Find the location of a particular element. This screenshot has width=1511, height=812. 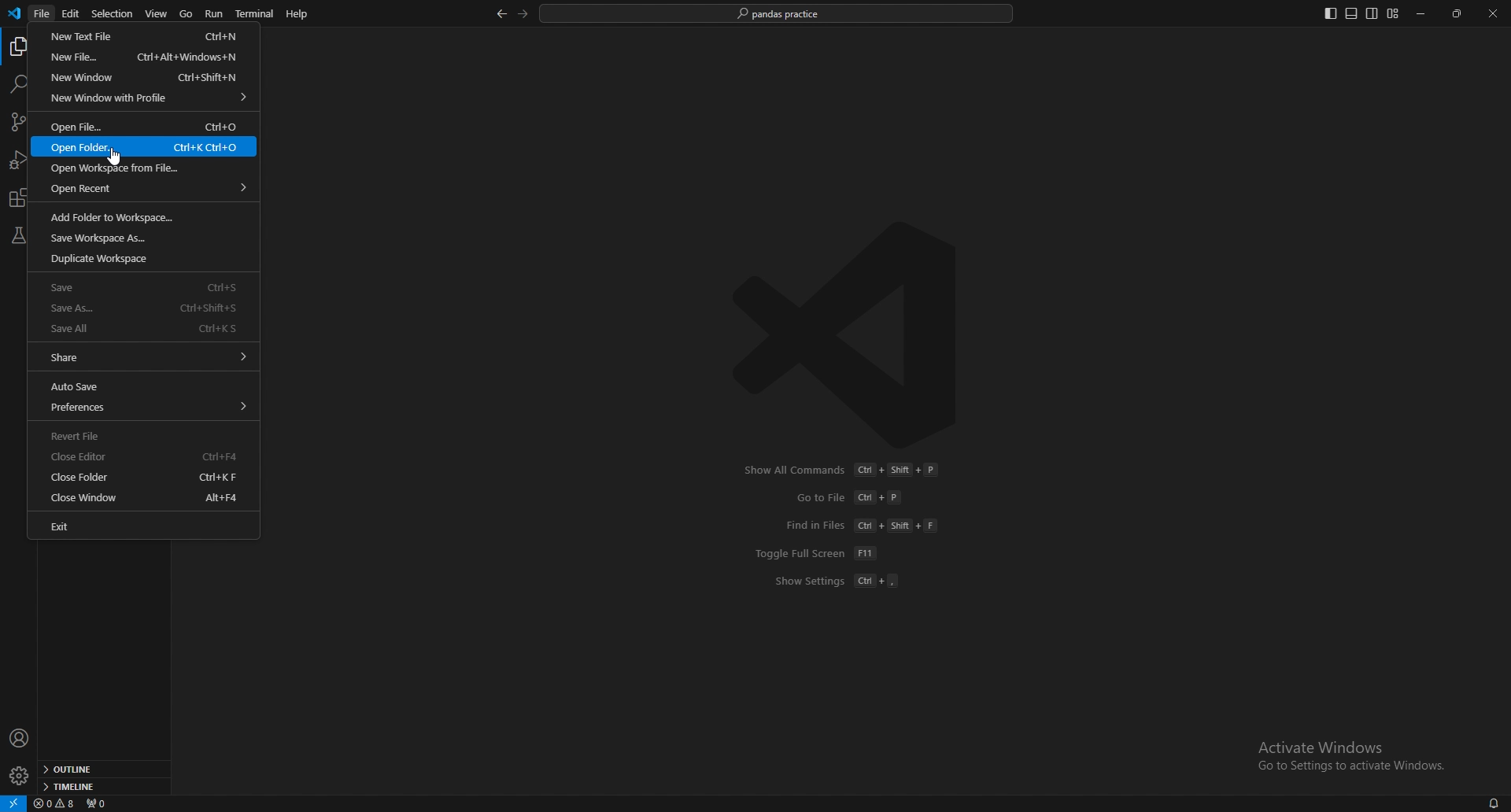

outline is located at coordinates (101, 770).